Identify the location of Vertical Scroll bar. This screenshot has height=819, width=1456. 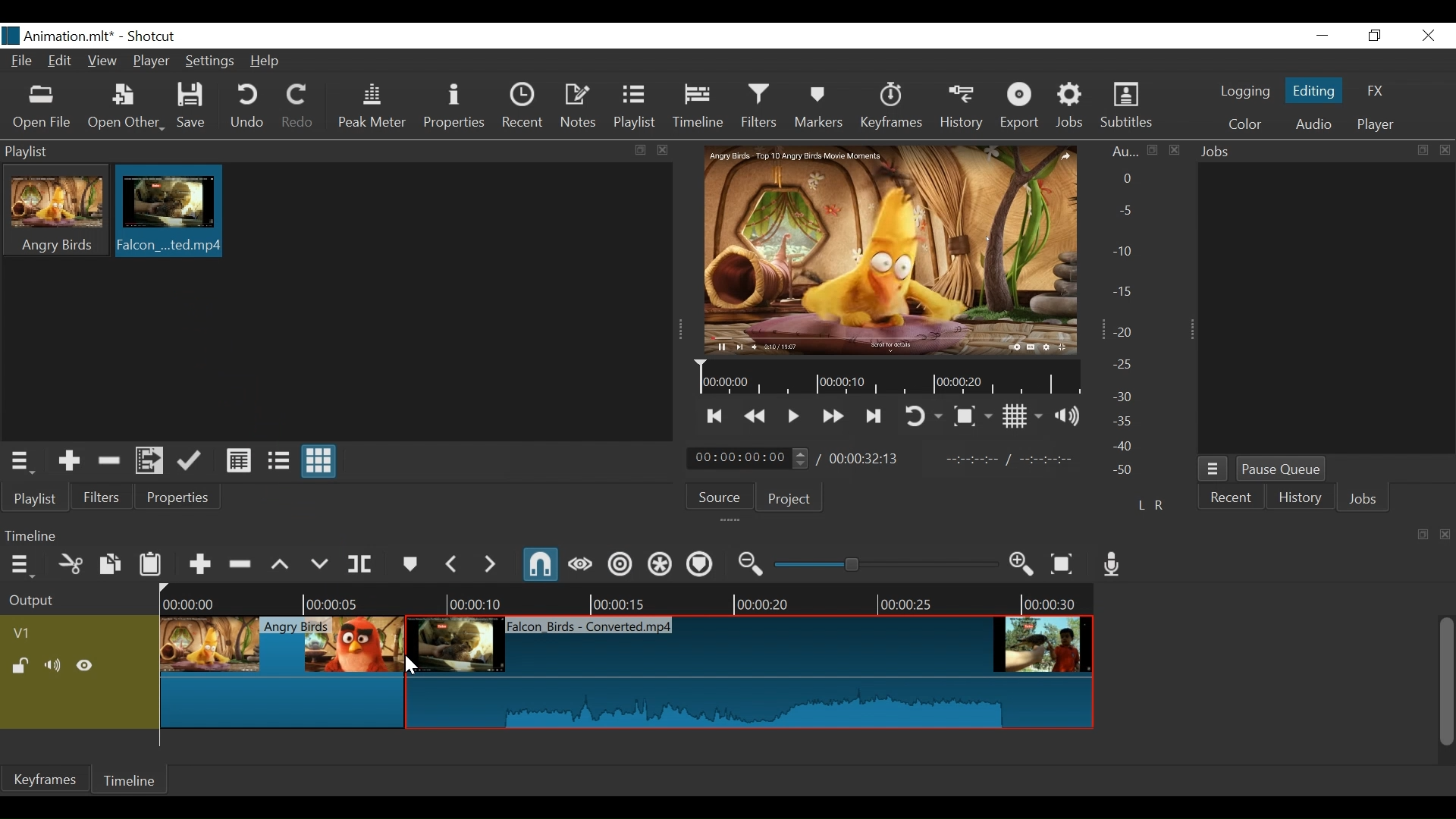
(1447, 682).